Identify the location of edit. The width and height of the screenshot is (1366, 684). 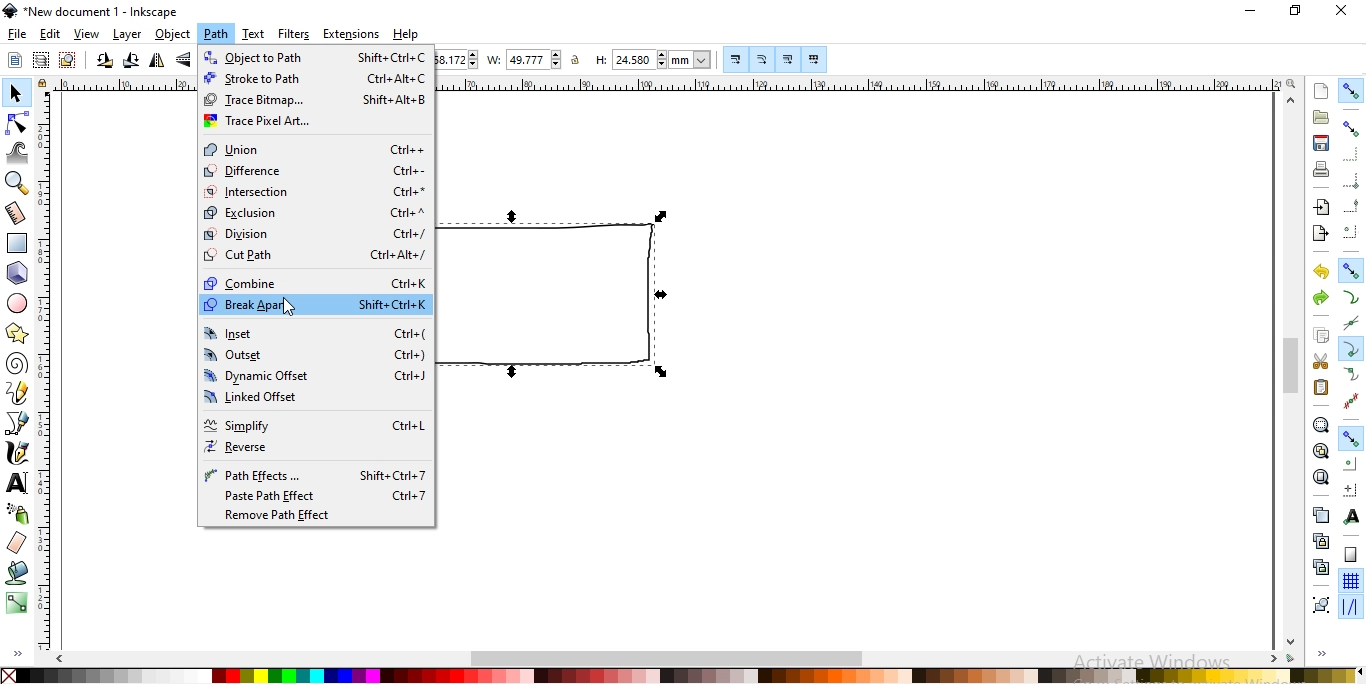
(49, 34).